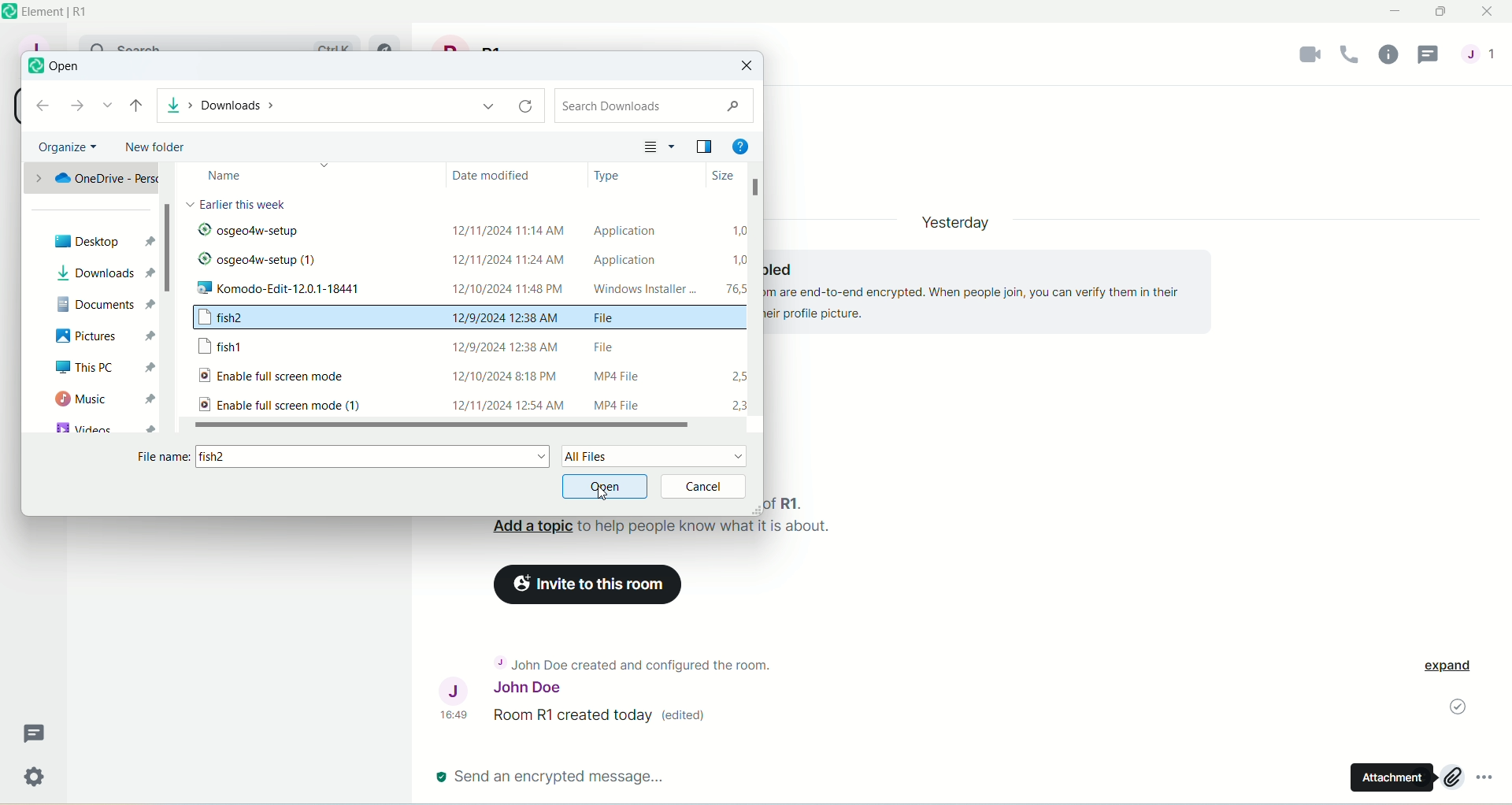  Describe the element at coordinates (37, 733) in the screenshot. I see `Message` at that location.